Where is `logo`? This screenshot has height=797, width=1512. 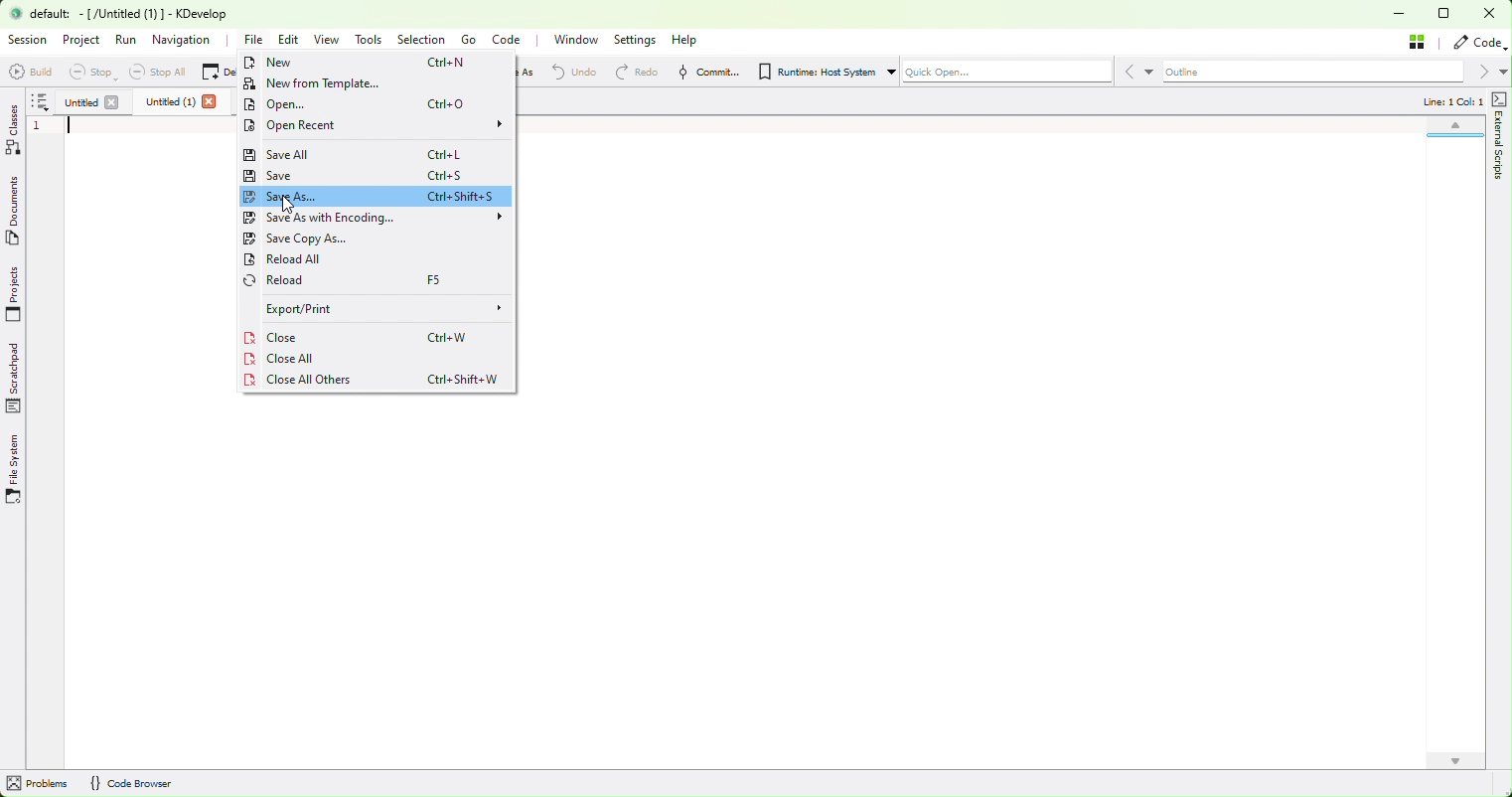 logo is located at coordinates (14, 15).